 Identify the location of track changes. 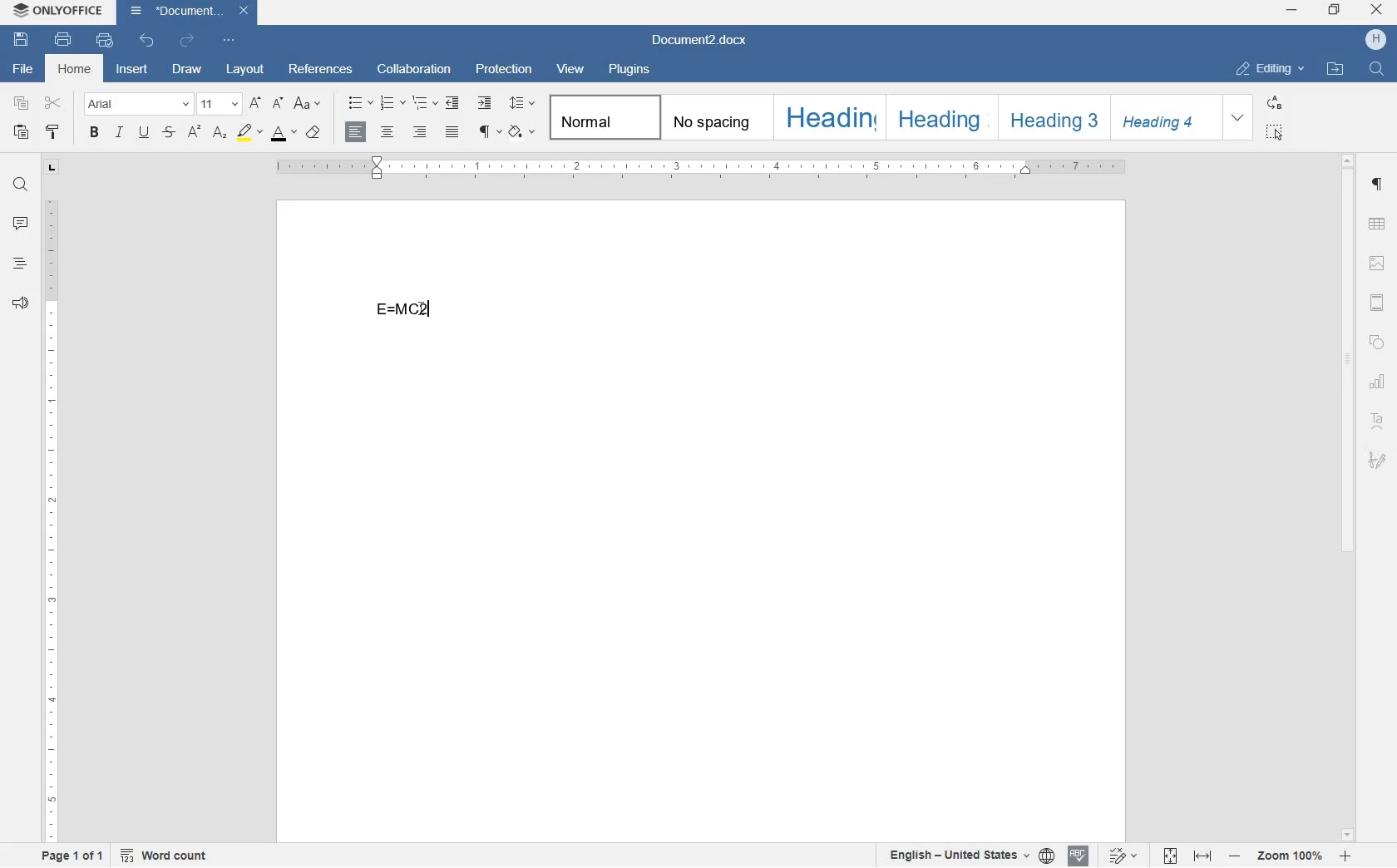
(1124, 856).